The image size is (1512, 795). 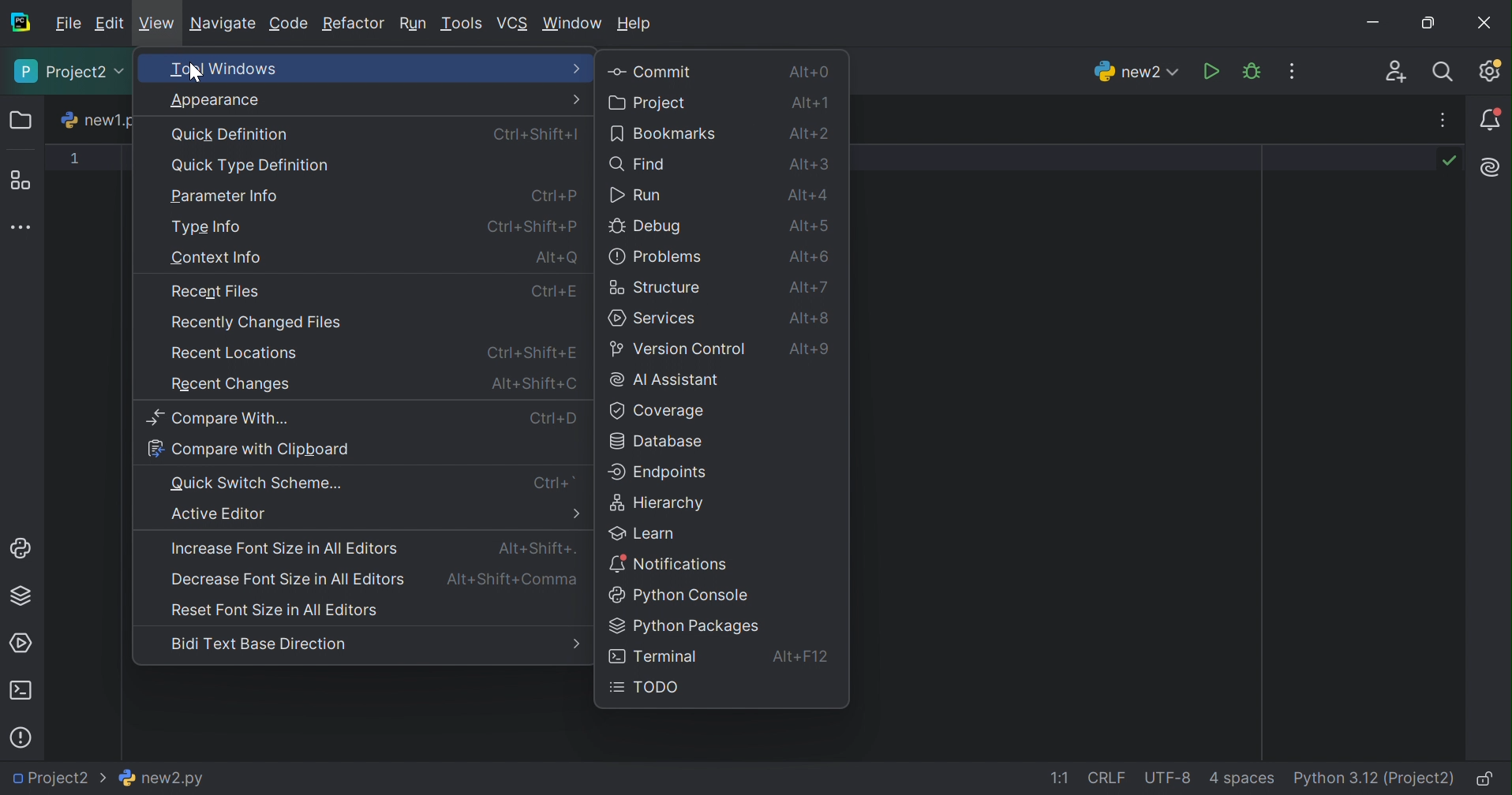 What do you see at coordinates (657, 503) in the screenshot?
I see `Hierarchy` at bounding box center [657, 503].